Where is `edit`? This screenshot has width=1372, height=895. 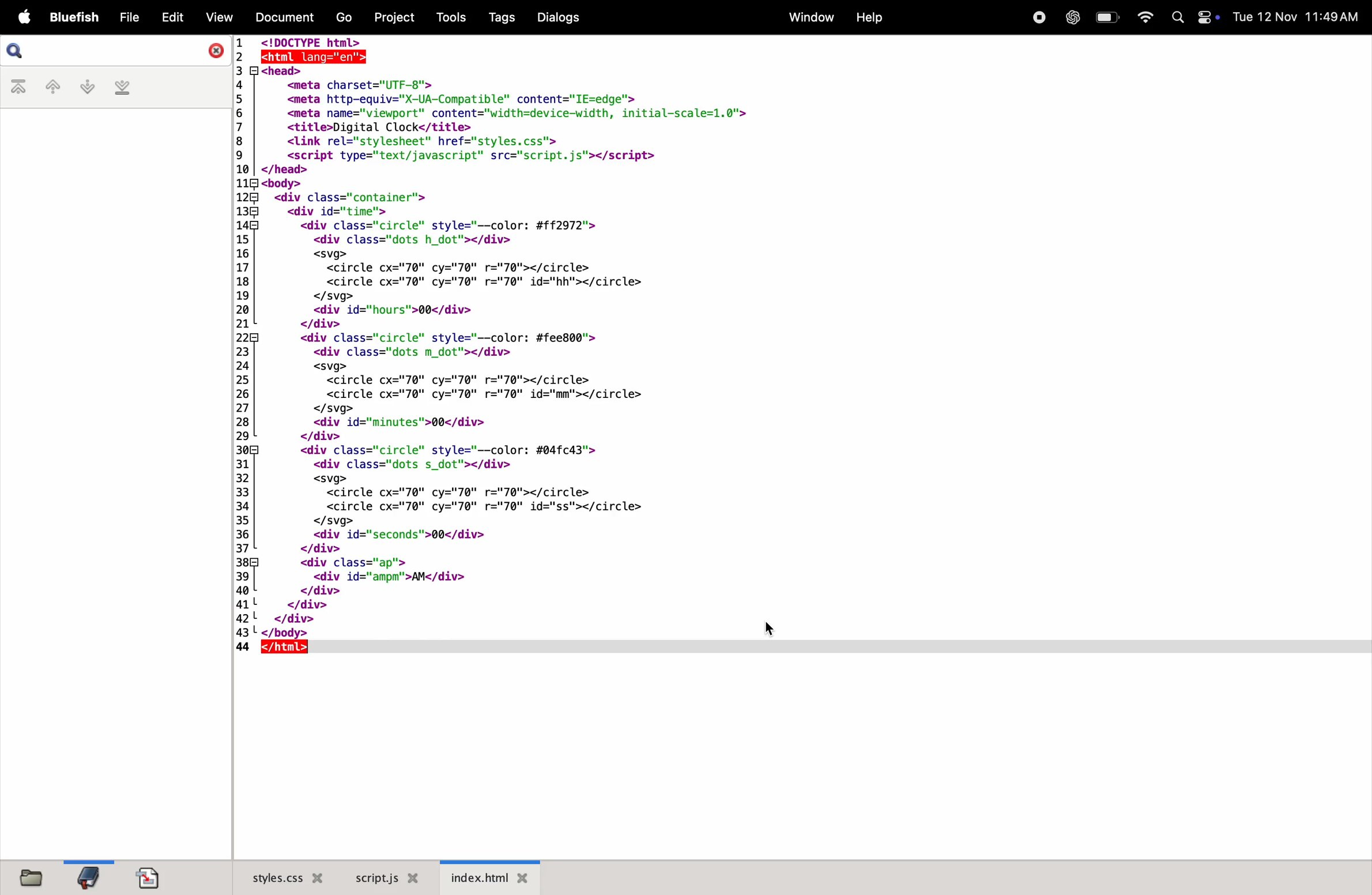 edit is located at coordinates (170, 17).